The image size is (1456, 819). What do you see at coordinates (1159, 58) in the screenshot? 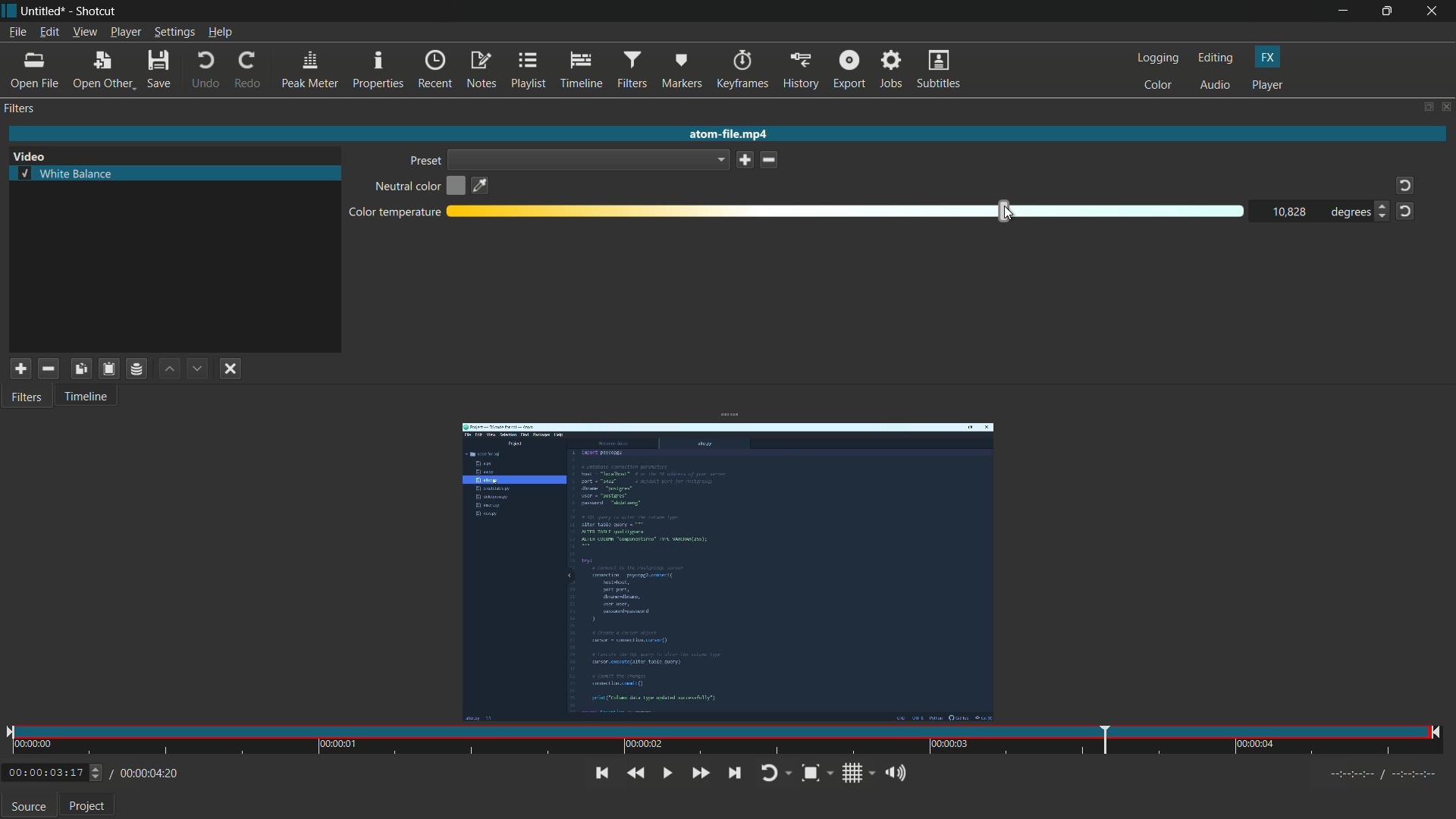
I see `logging` at bounding box center [1159, 58].